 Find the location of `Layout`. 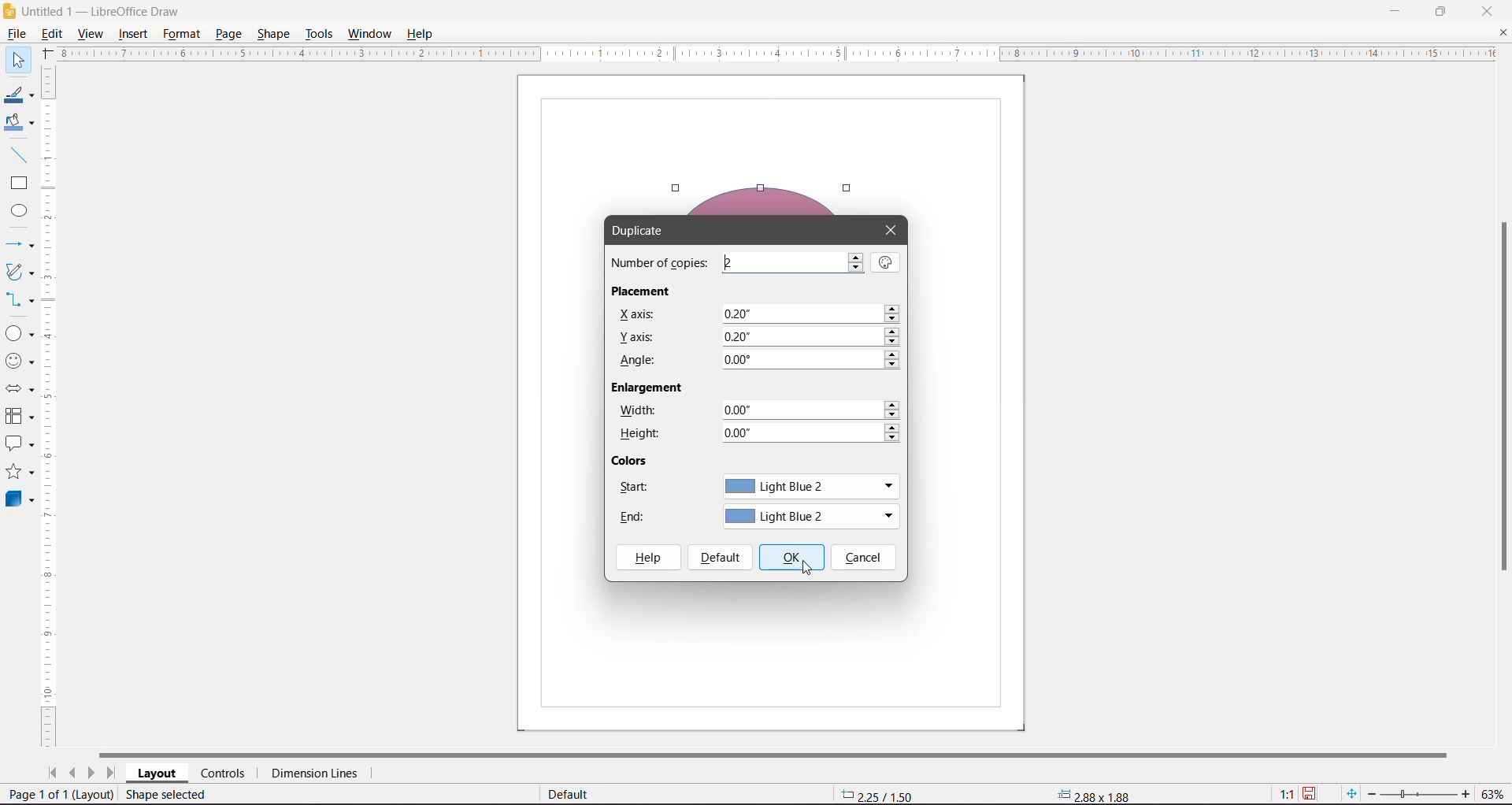

Layout is located at coordinates (157, 773).